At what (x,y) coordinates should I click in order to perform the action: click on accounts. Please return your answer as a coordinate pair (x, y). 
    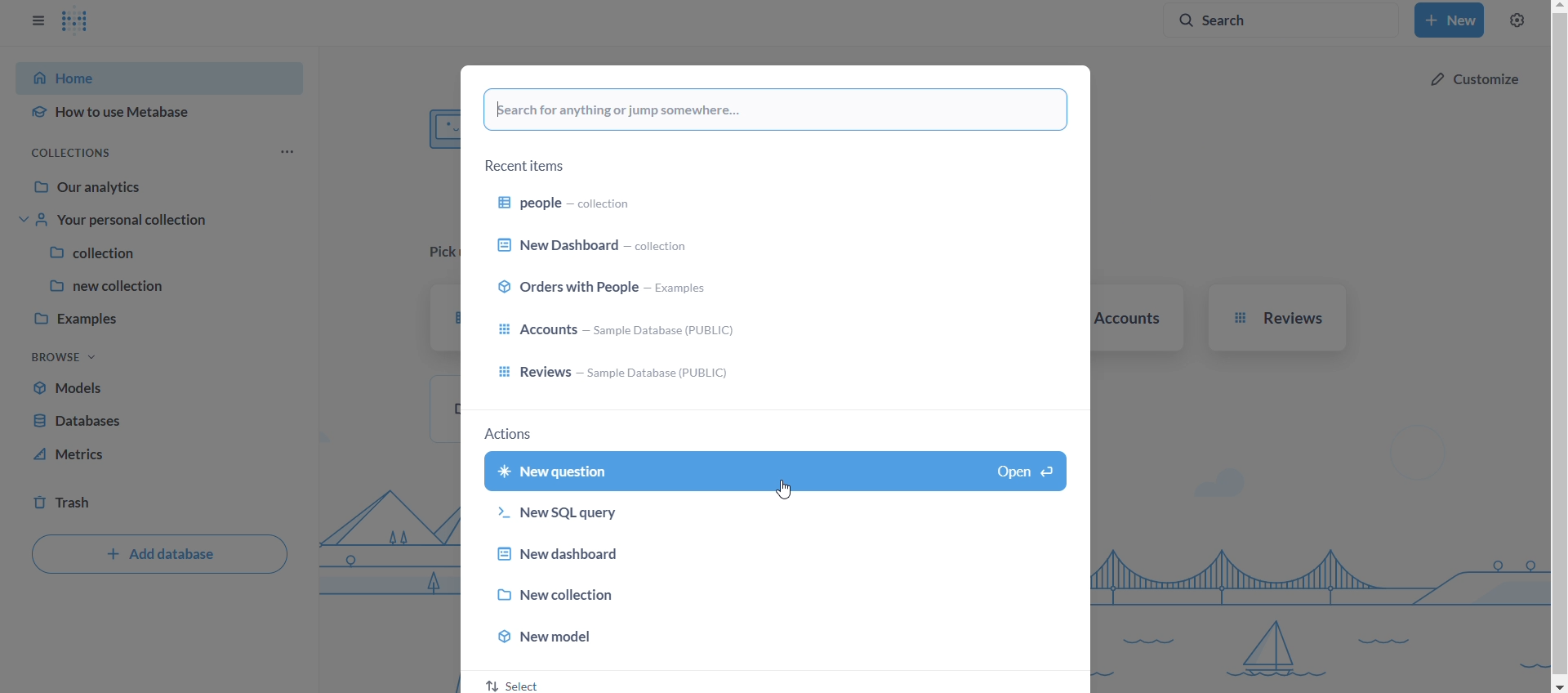
    Looking at the image, I should click on (1138, 317).